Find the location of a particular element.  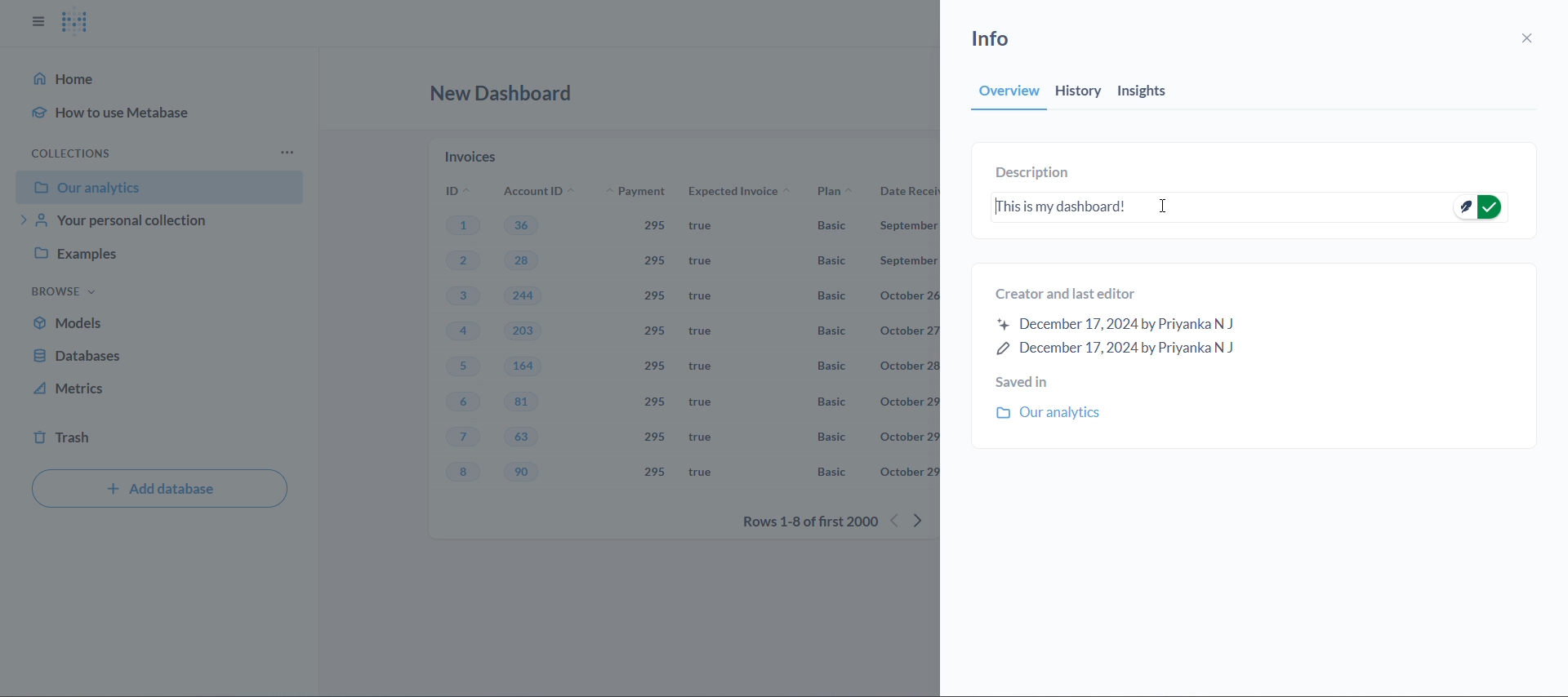

october 26 is located at coordinates (909, 295).